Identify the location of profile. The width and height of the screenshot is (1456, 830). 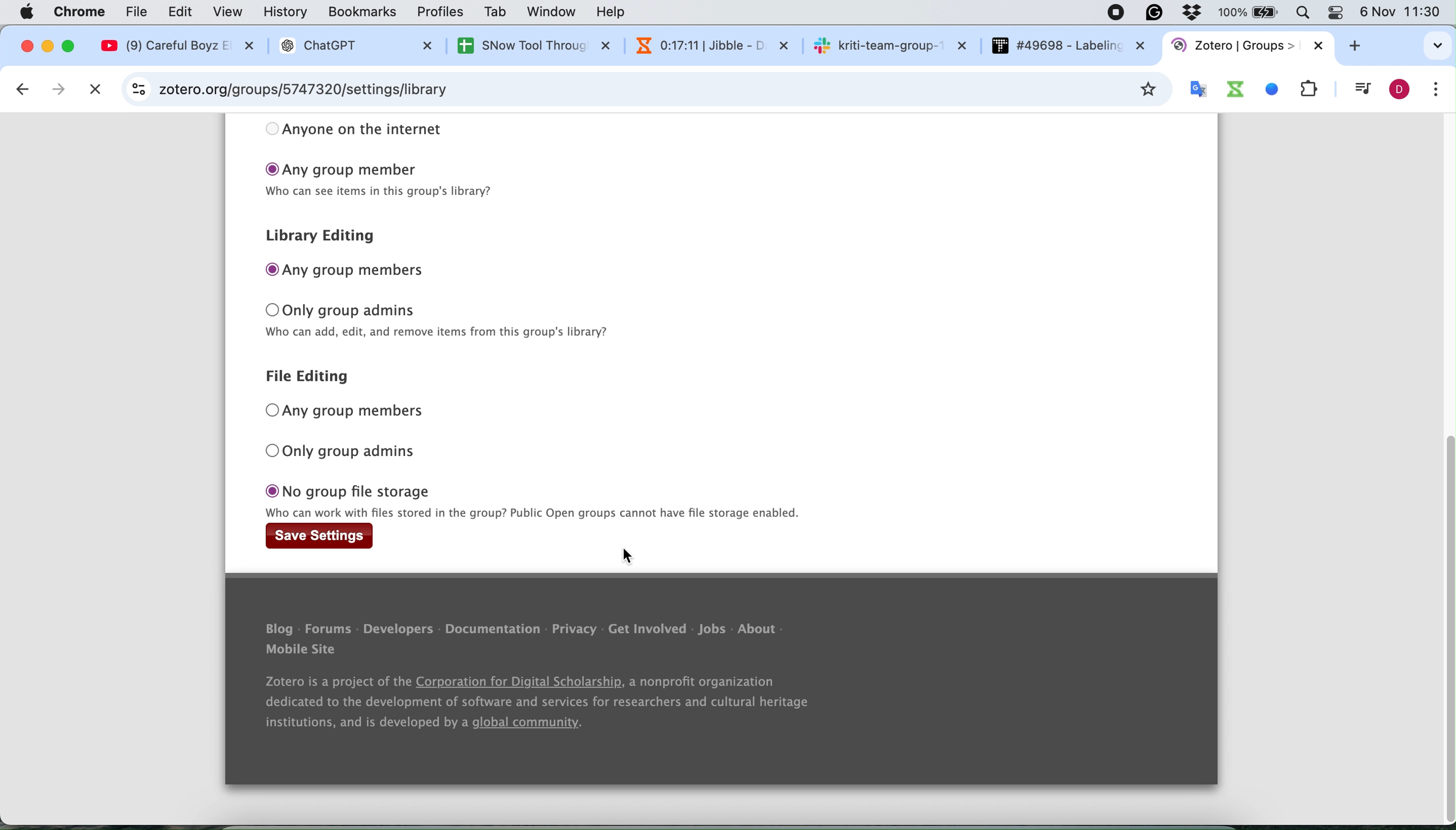
(1400, 91).